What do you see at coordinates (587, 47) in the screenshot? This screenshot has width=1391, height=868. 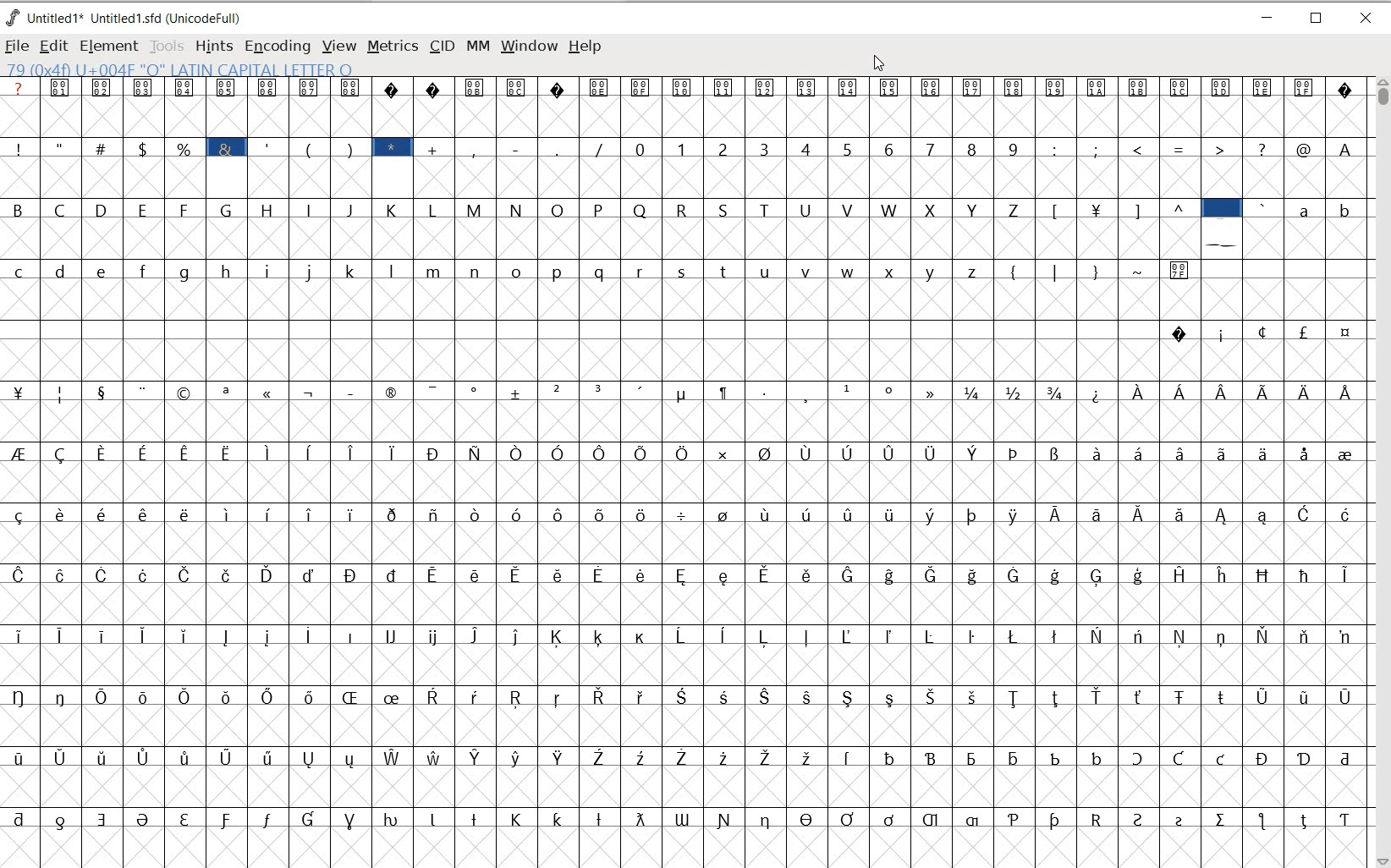 I see `HELP` at bounding box center [587, 47].